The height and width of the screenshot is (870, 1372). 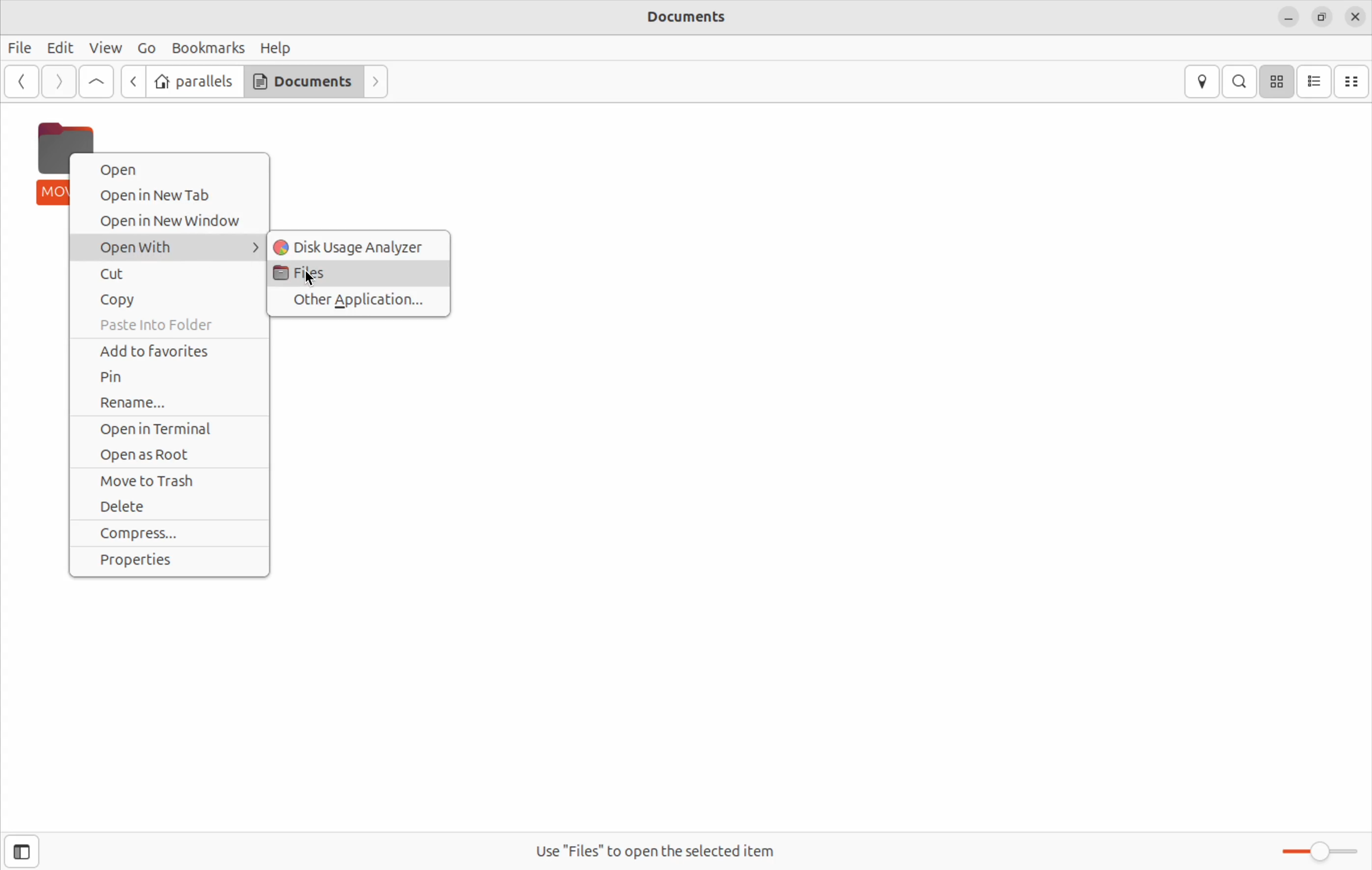 I want to click on Open With, so click(x=168, y=248).